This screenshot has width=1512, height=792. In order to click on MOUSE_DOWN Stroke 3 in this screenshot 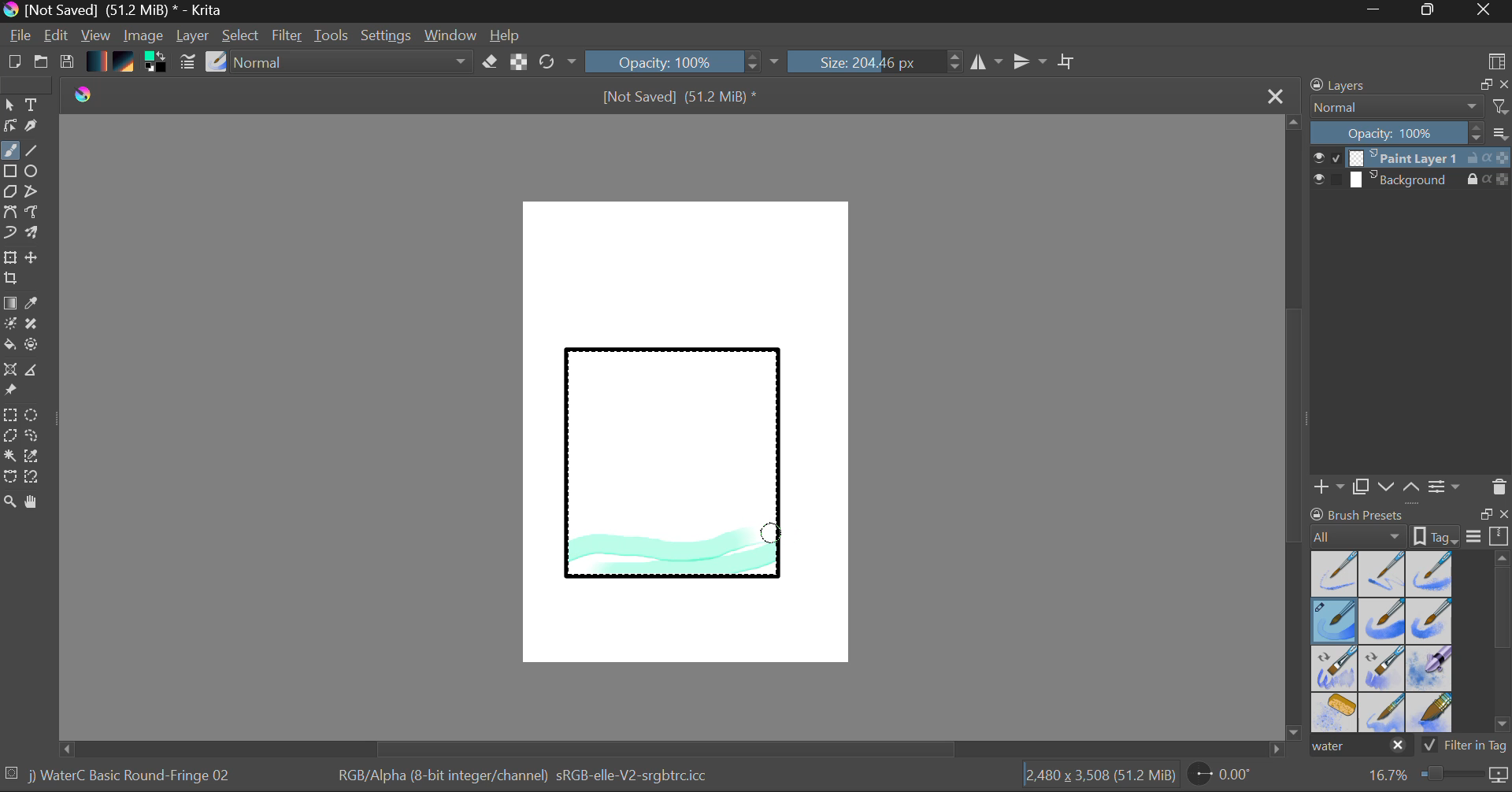, I will do `click(770, 532)`.